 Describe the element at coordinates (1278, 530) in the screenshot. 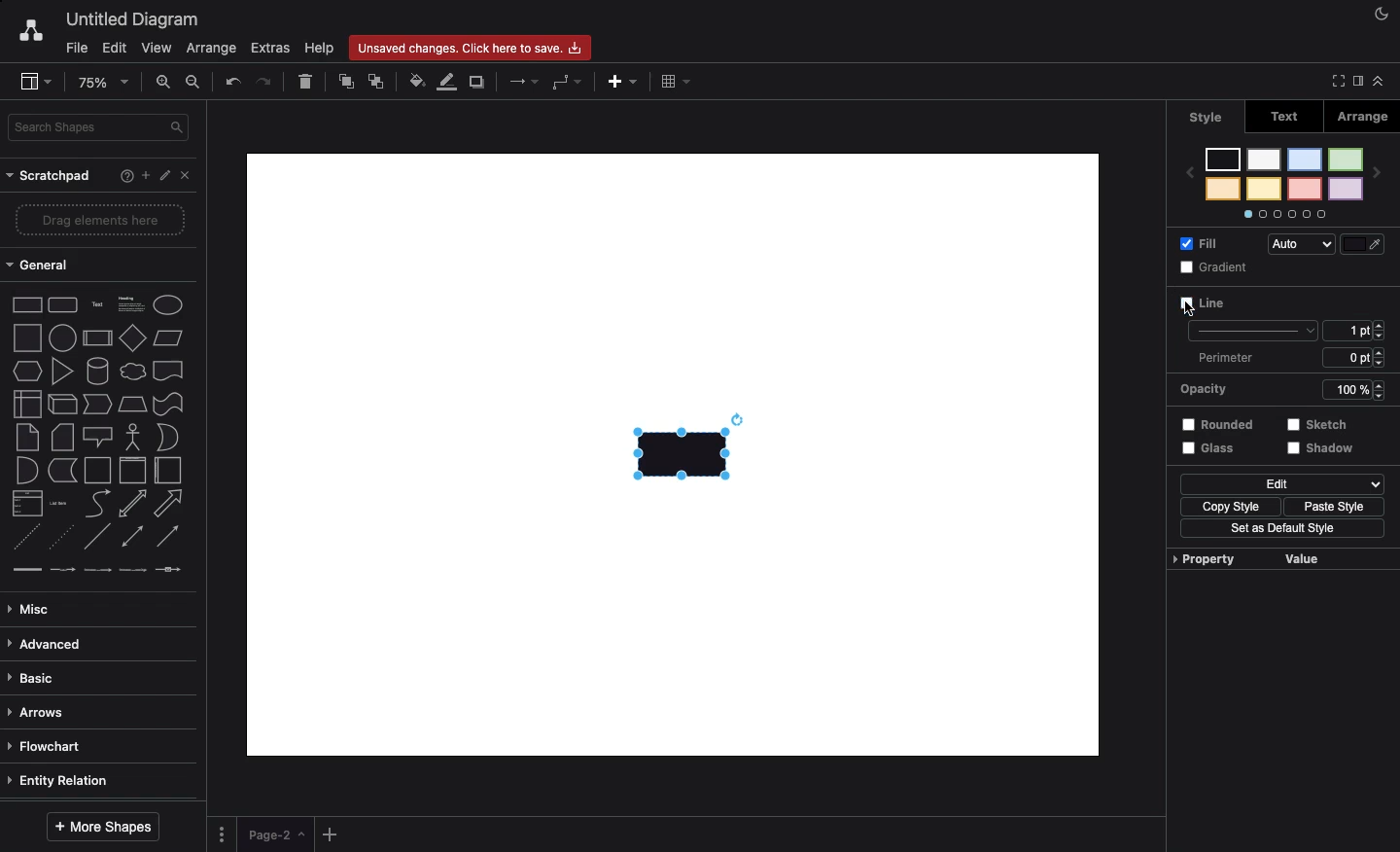

I see `Set as default style` at that location.